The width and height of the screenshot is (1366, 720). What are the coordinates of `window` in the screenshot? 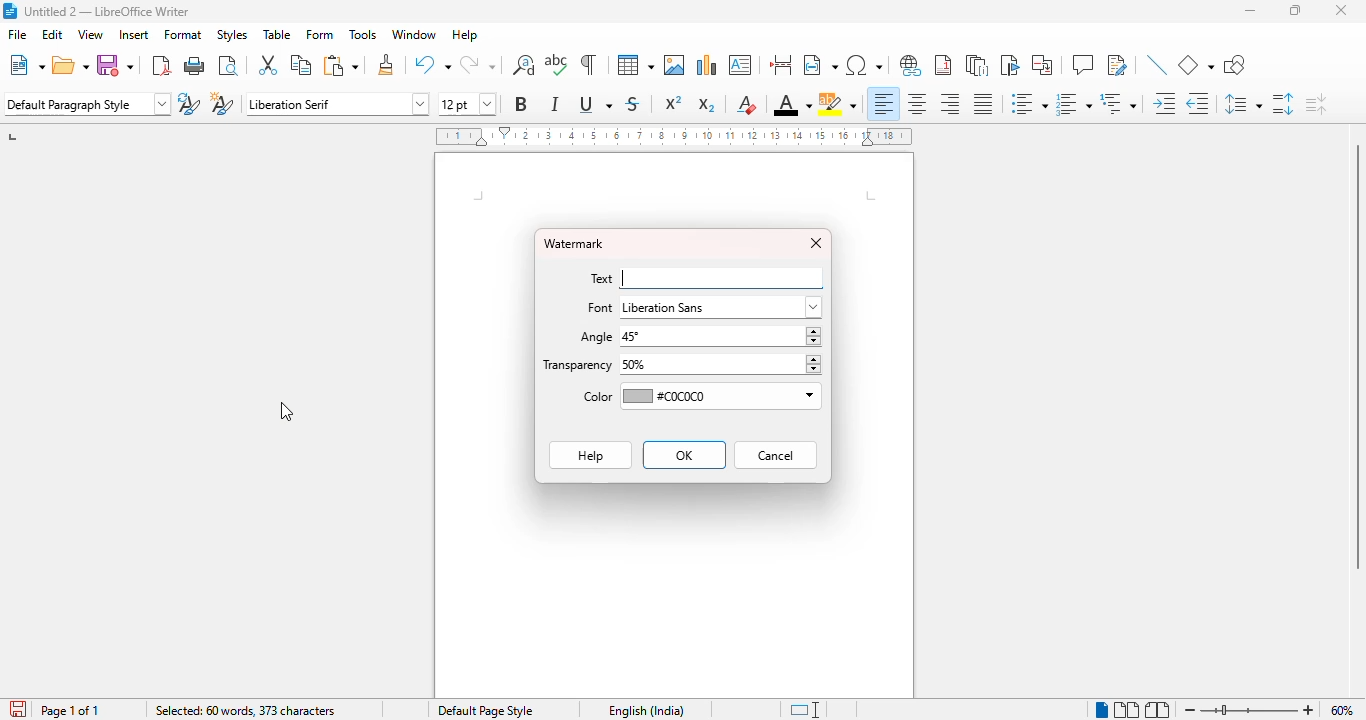 It's located at (413, 34).